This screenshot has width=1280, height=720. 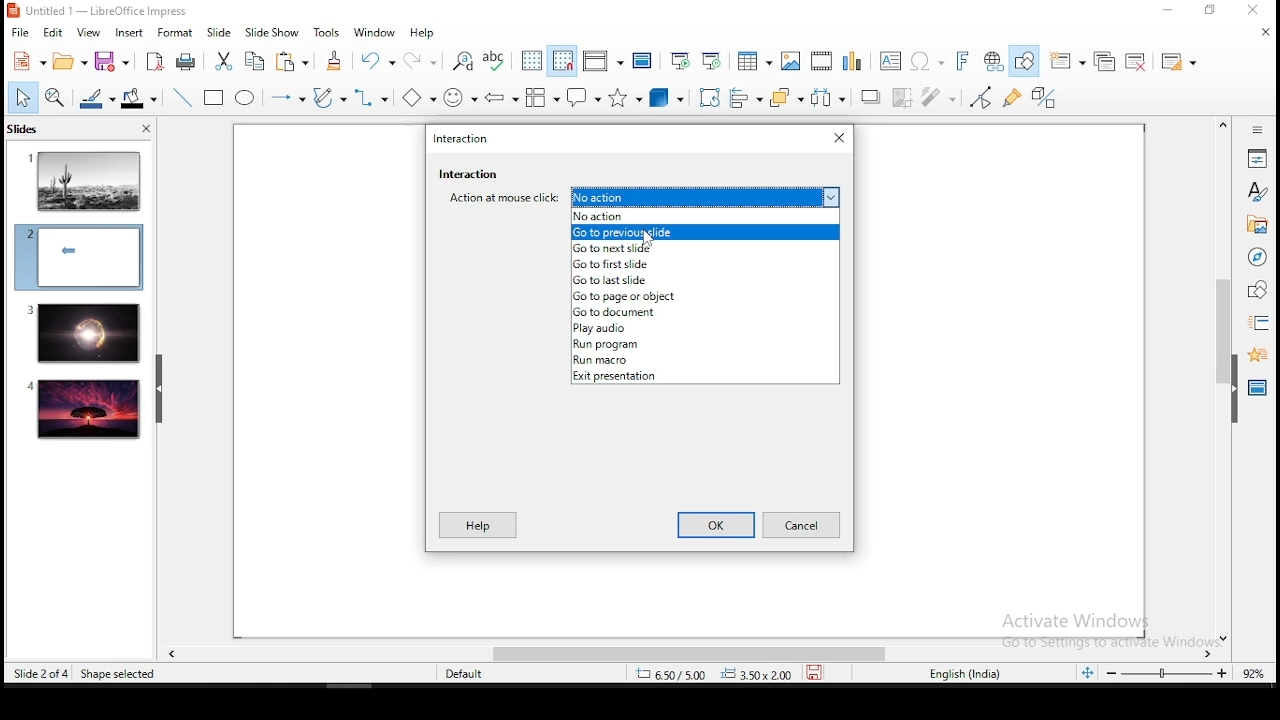 What do you see at coordinates (667, 99) in the screenshot?
I see `3D objects` at bounding box center [667, 99].